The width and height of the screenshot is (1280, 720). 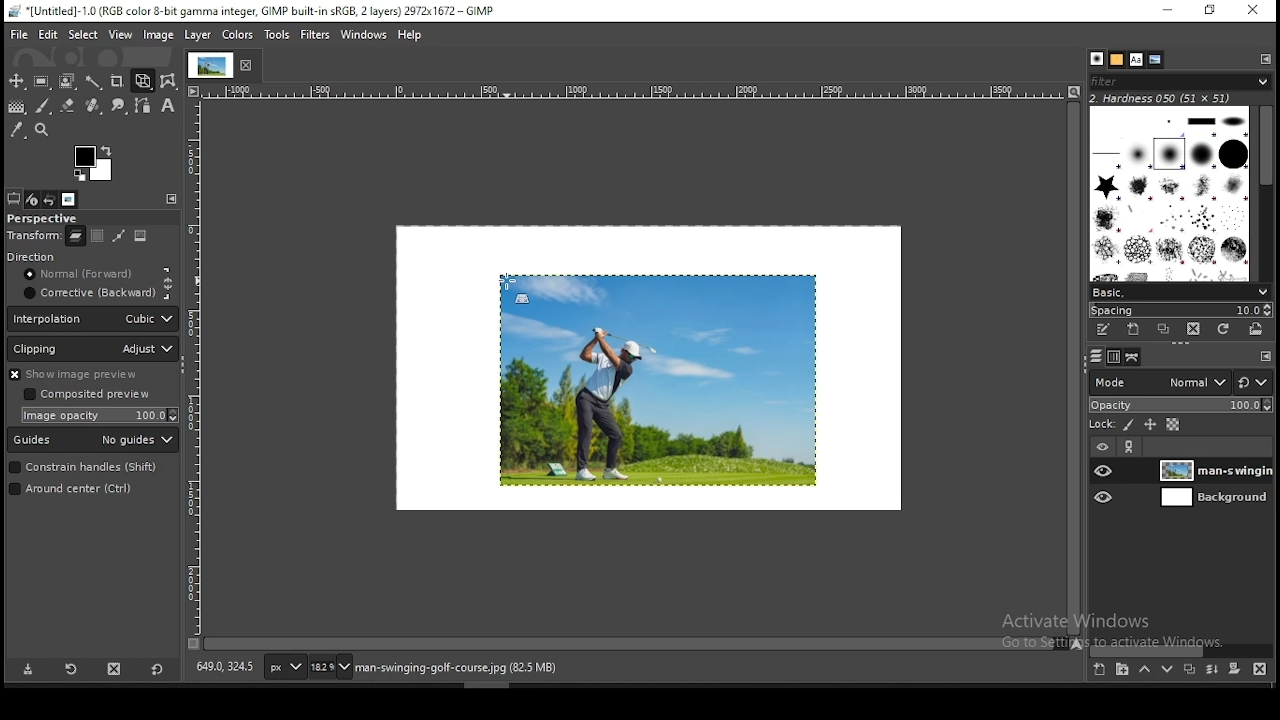 I want to click on layer visibility on/off, so click(x=1103, y=471).